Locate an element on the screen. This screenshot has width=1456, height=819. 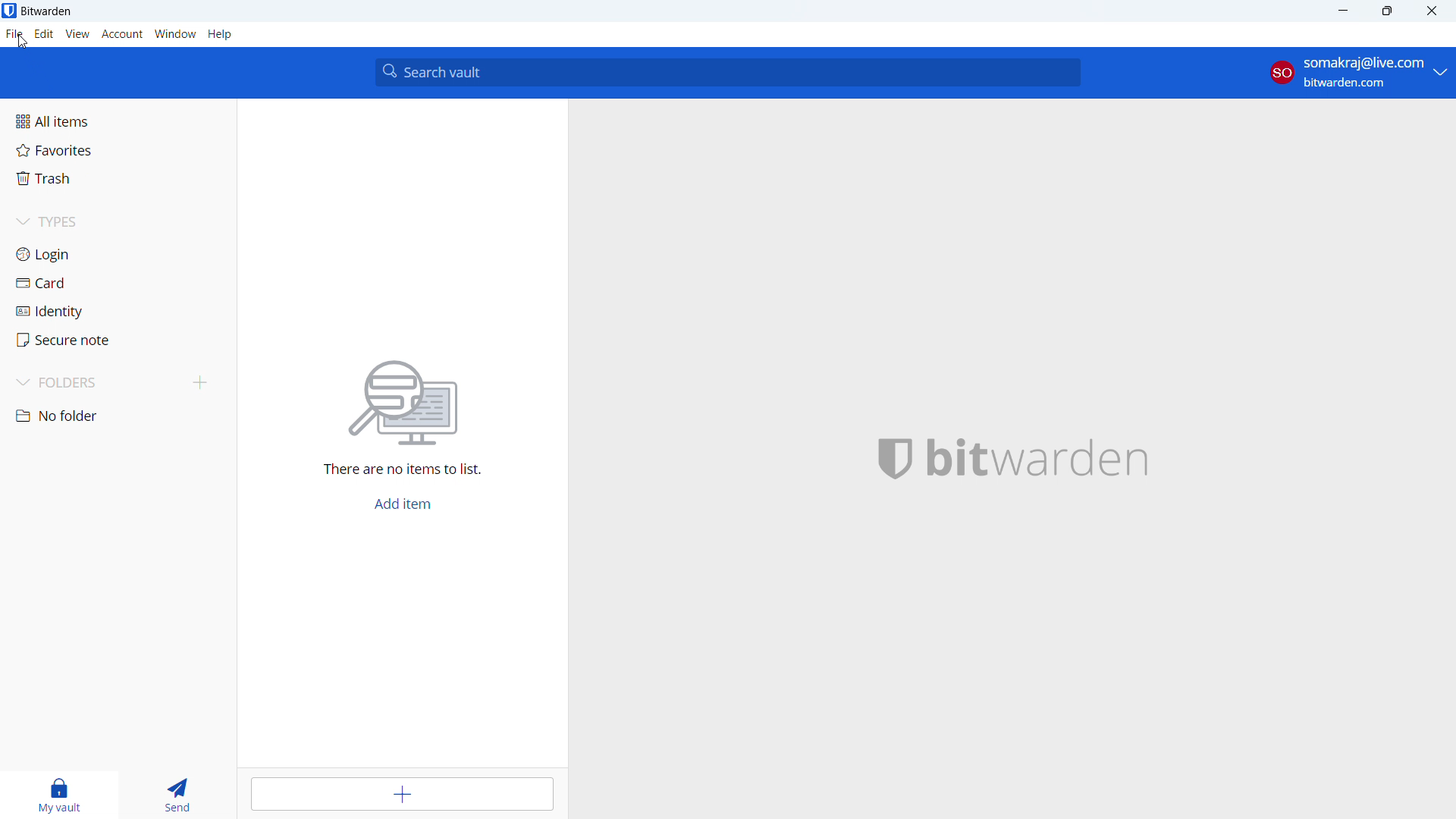
add folder is located at coordinates (199, 383).